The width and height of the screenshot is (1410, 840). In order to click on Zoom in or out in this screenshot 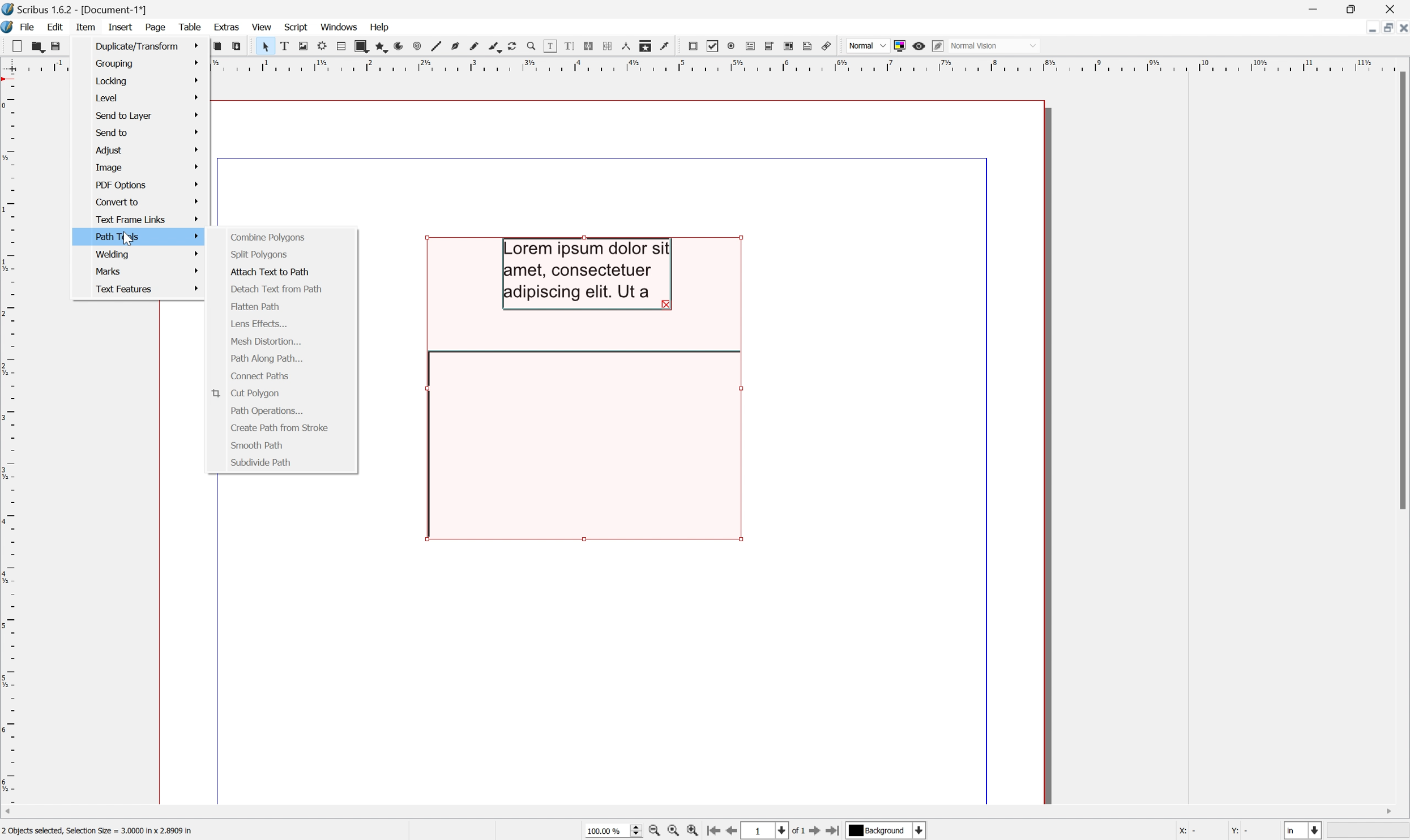, I will do `click(529, 46)`.